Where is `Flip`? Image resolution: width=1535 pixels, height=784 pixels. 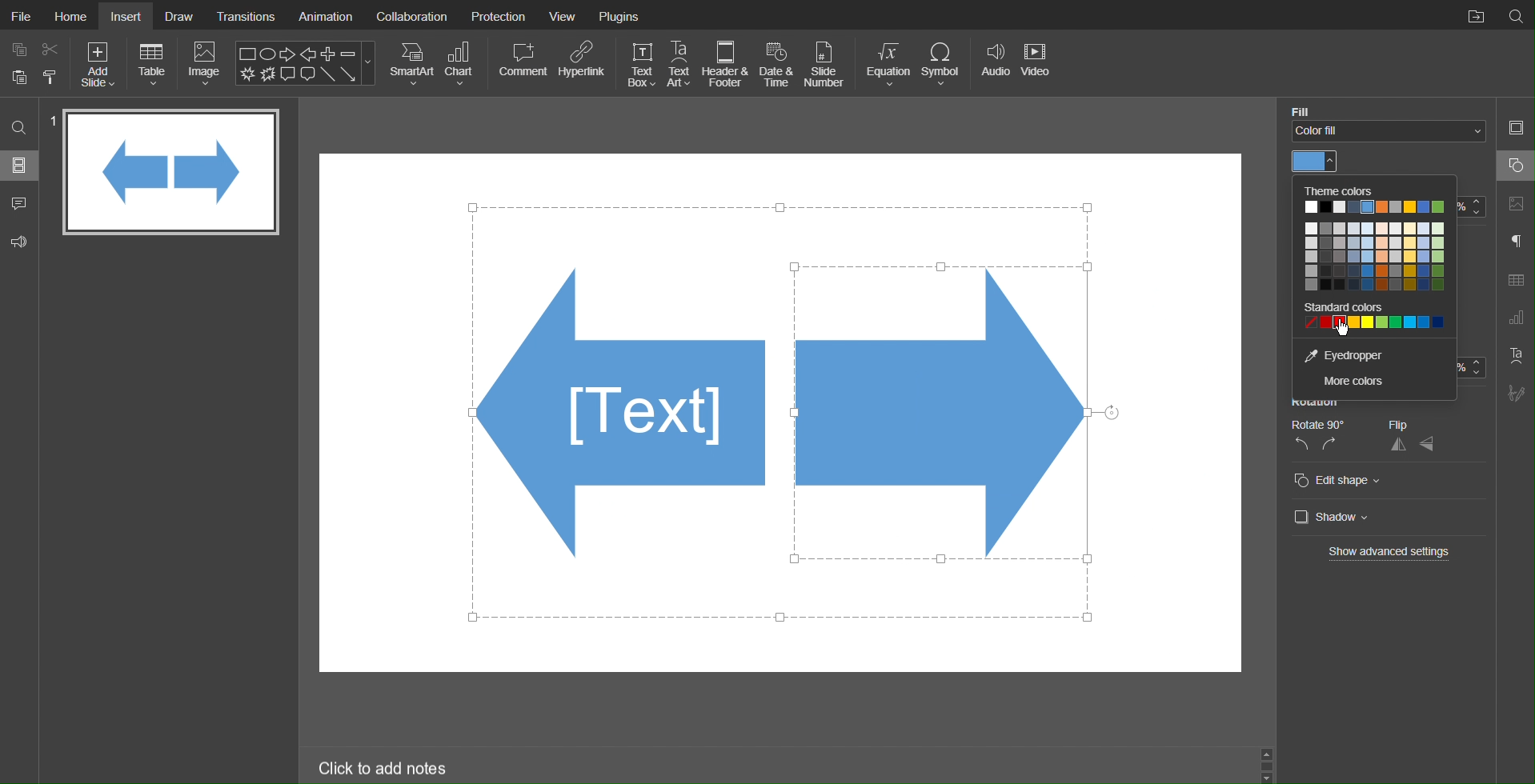 Flip is located at coordinates (1417, 424).